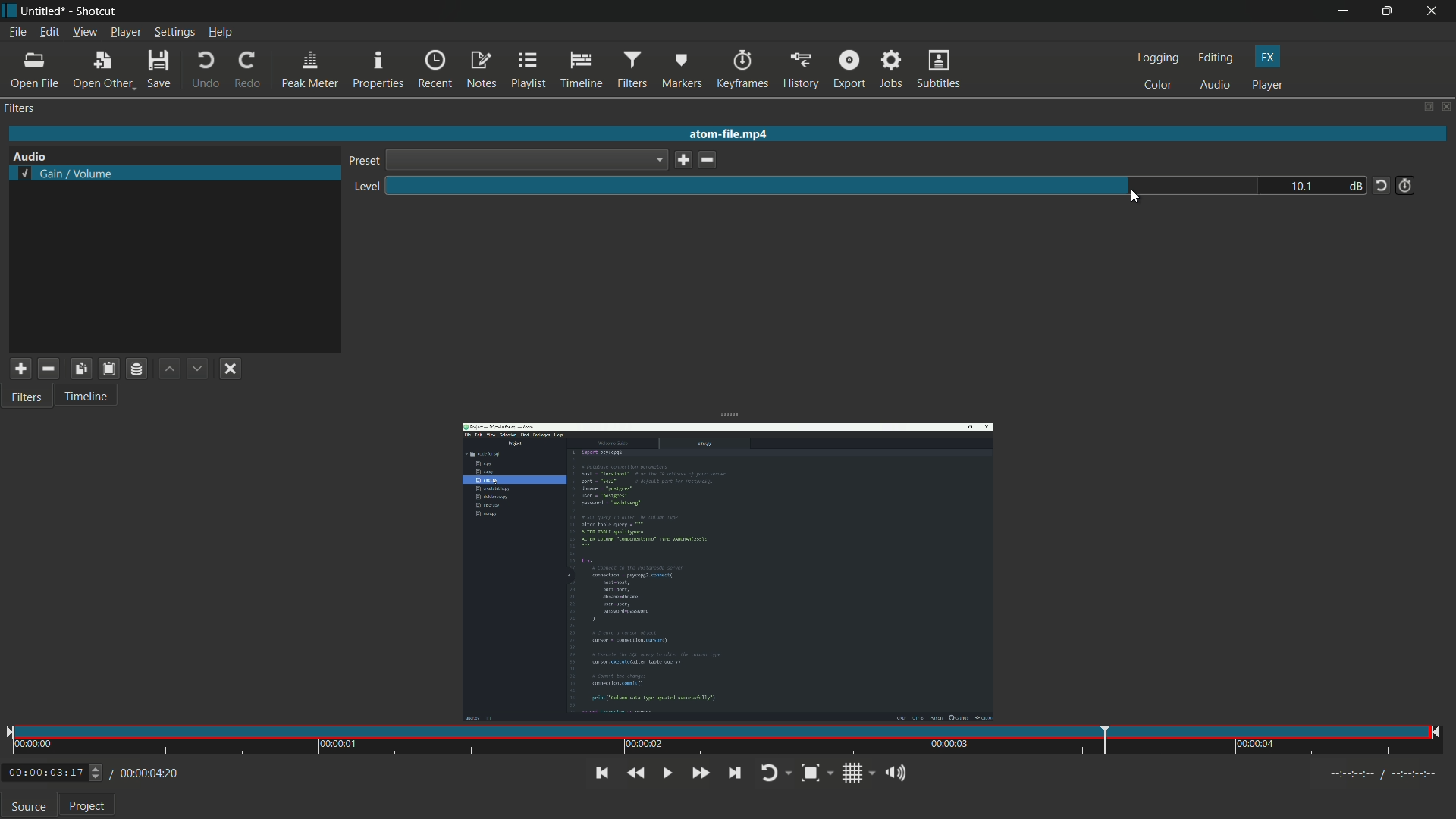  What do you see at coordinates (1405, 185) in the screenshot?
I see `add keyframe for this parameter ` at bounding box center [1405, 185].